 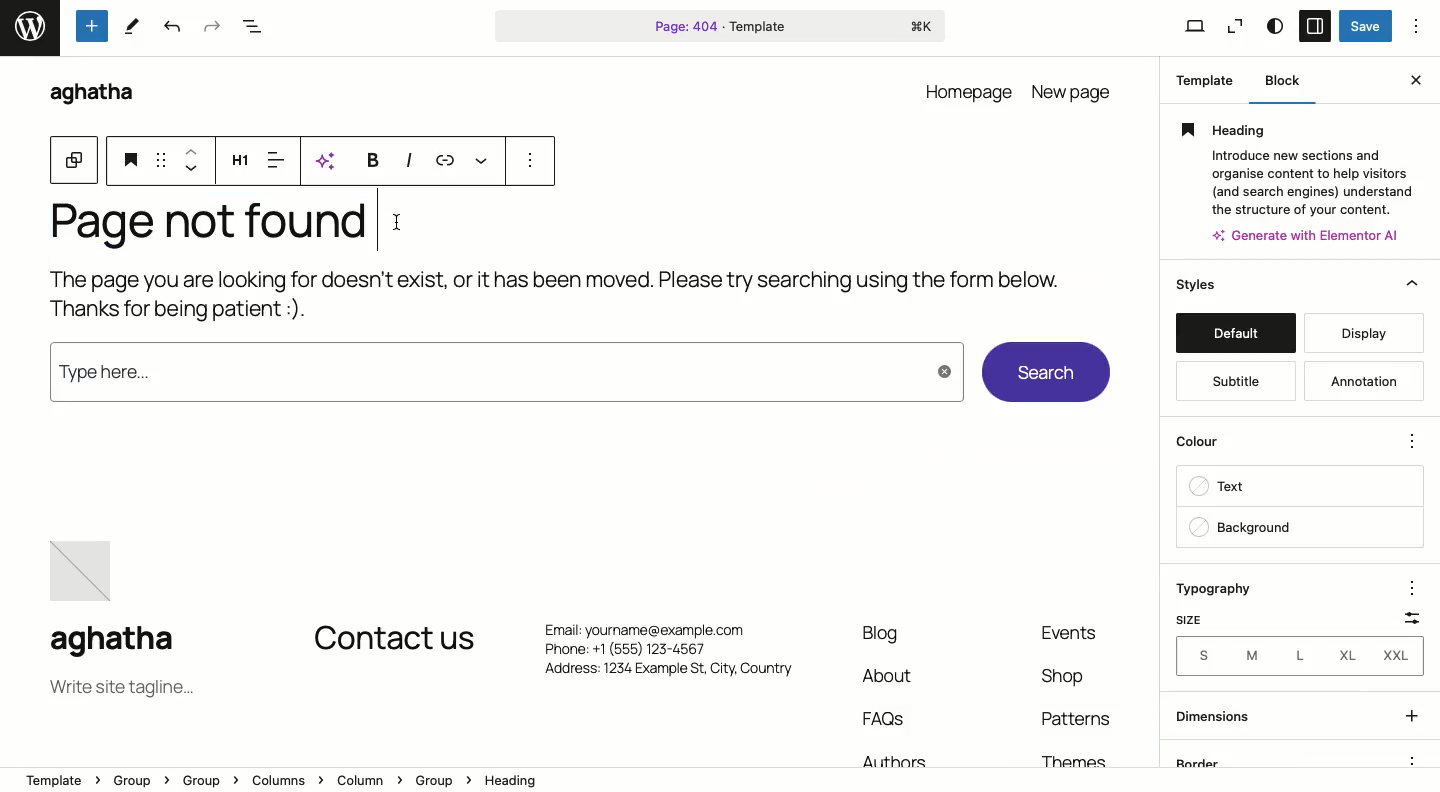 What do you see at coordinates (1060, 676) in the screenshot?
I see `shop` at bounding box center [1060, 676].